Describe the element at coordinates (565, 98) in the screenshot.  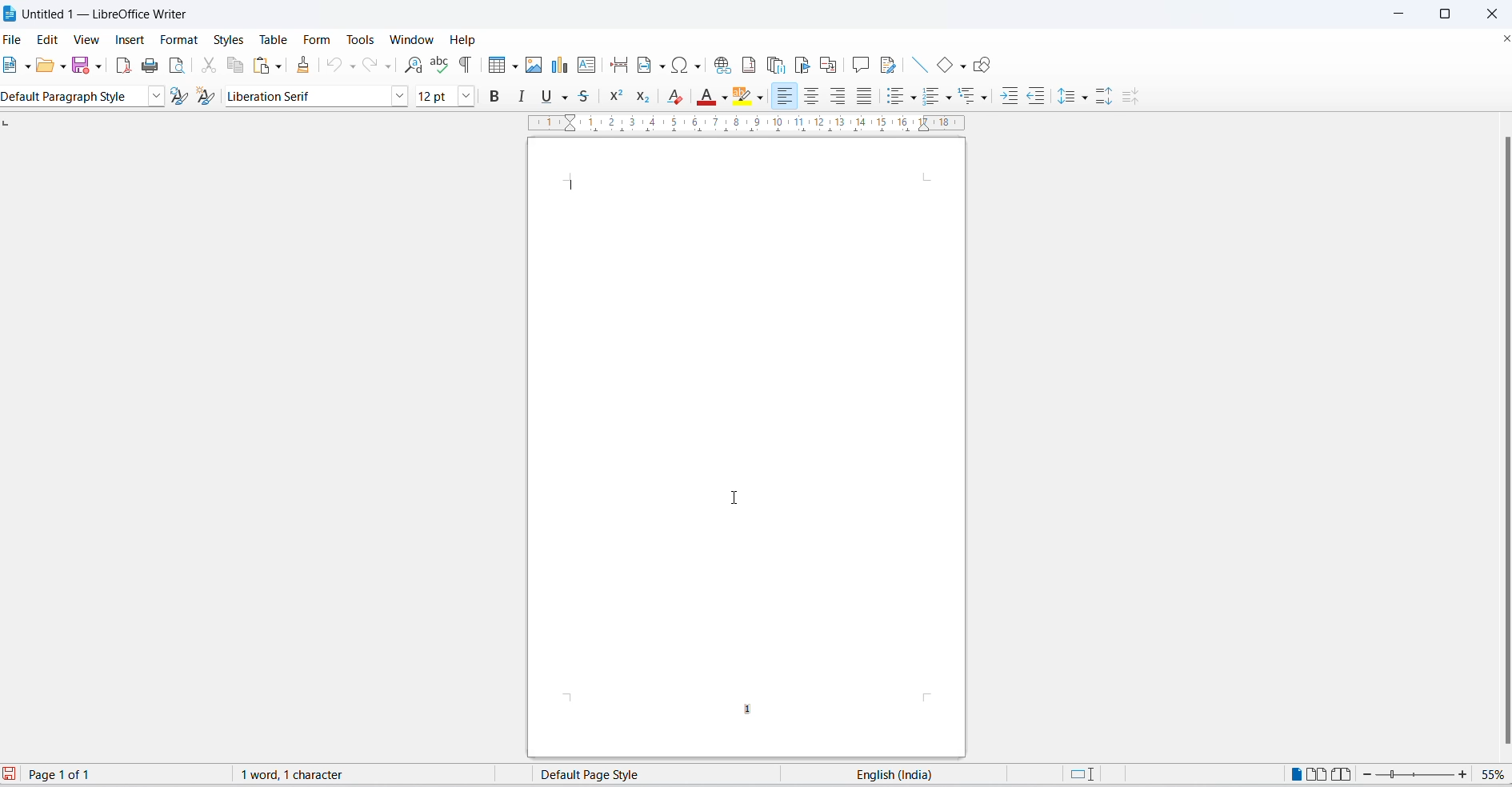
I see `underline options` at that location.